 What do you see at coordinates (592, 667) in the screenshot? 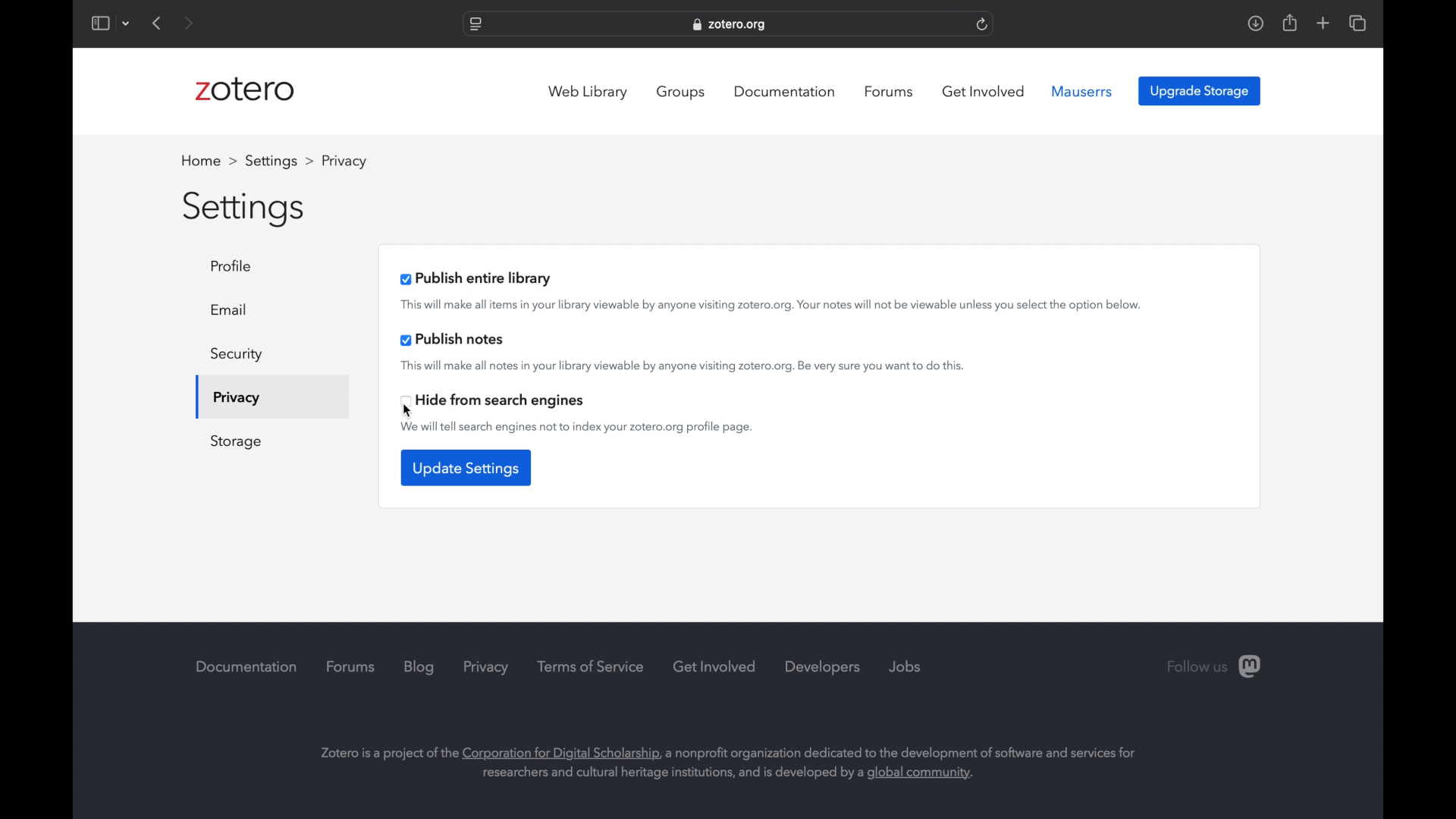
I see `terms of service` at bounding box center [592, 667].